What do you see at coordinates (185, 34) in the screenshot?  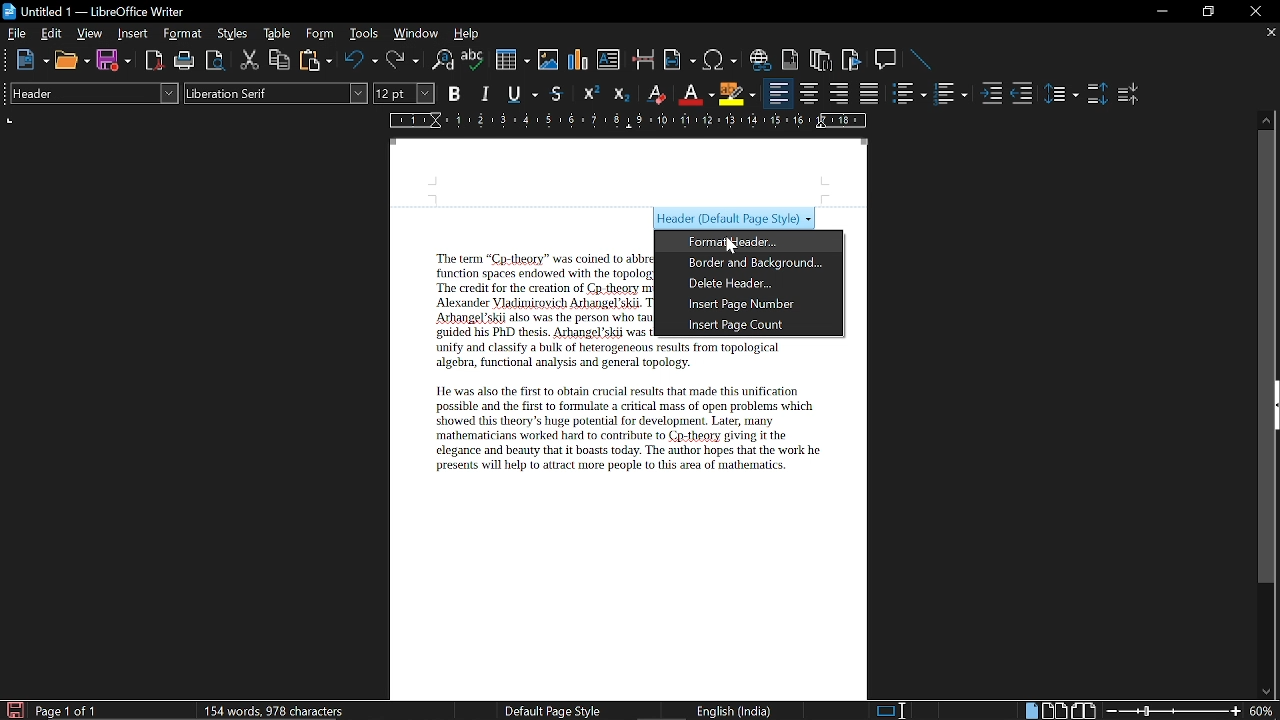 I see `Format` at bounding box center [185, 34].